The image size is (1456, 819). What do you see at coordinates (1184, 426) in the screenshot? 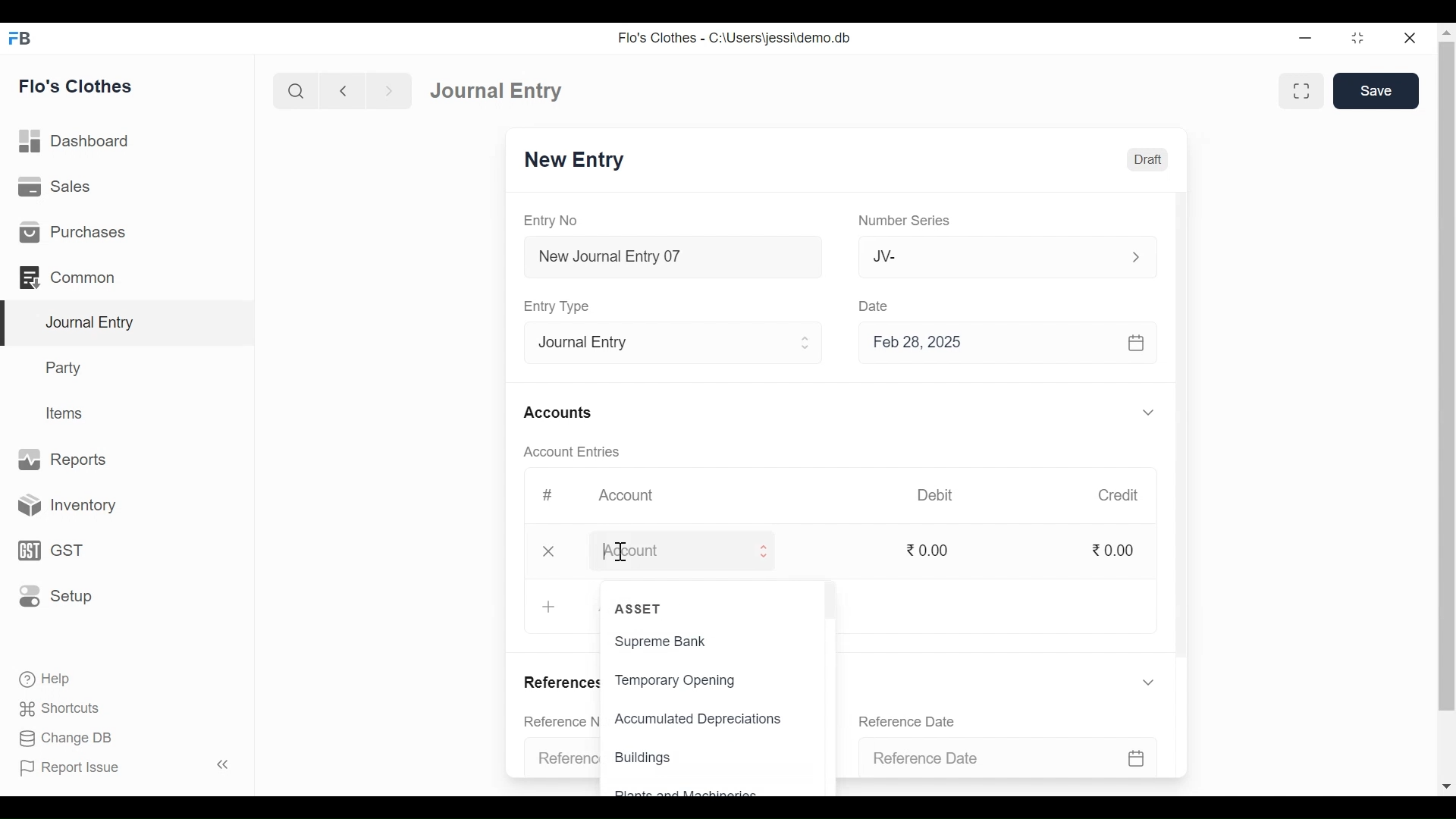
I see `Vertical Scroll bar` at bounding box center [1184, 426].